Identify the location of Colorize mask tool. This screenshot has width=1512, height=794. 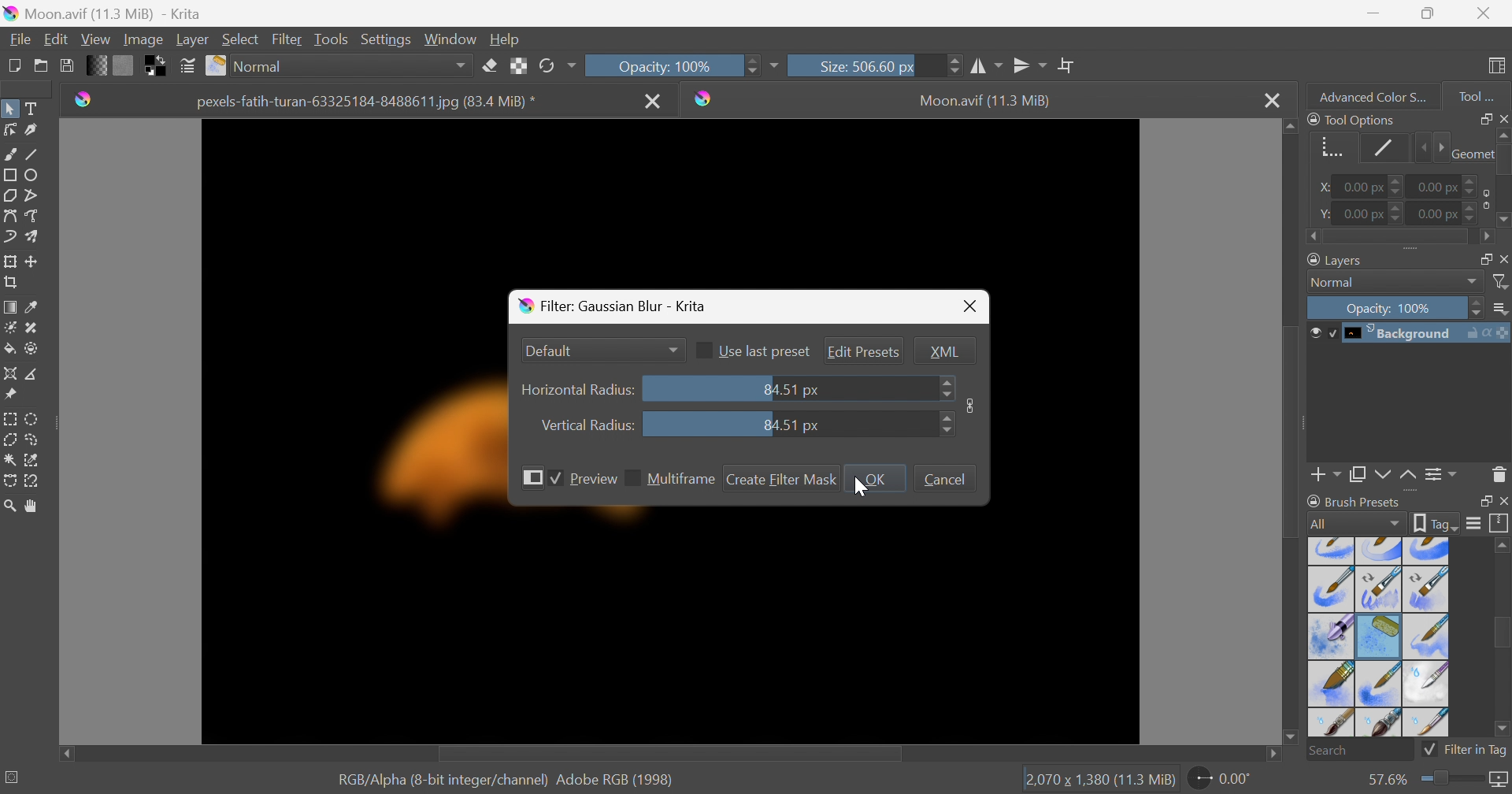
(9, 328).